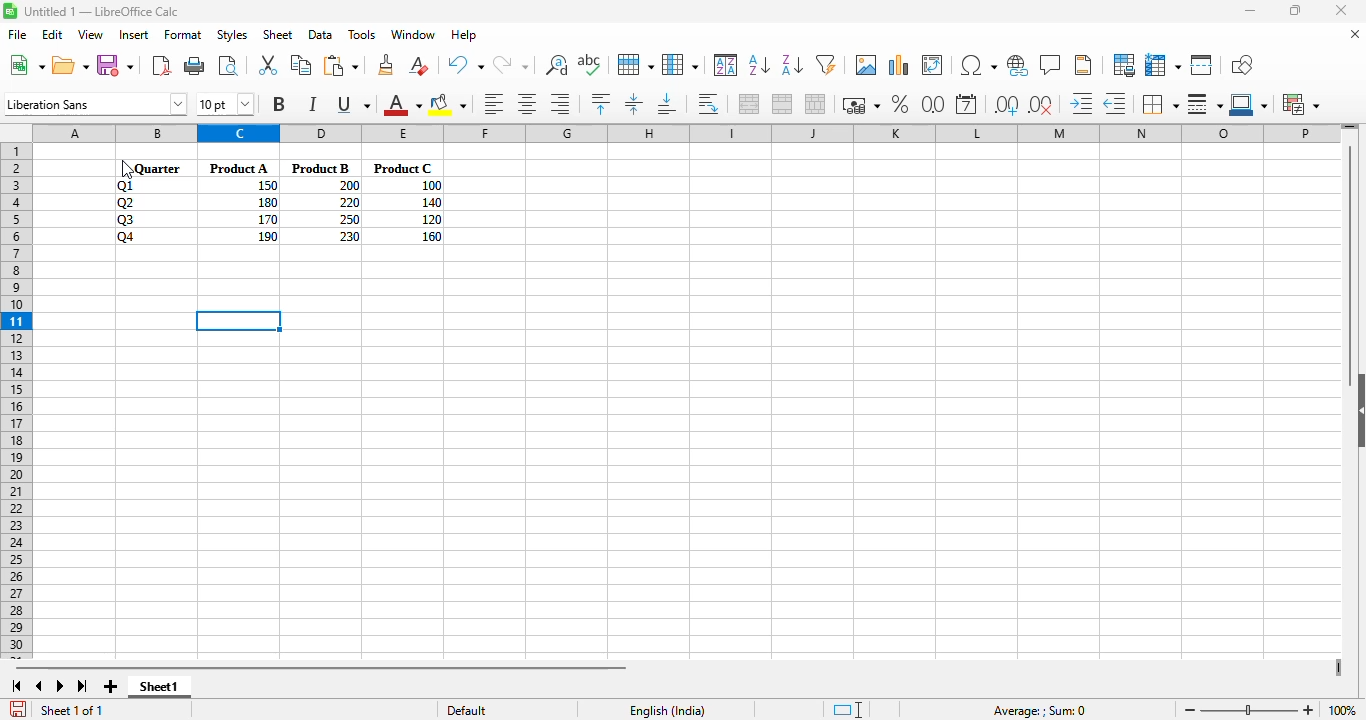 Image resolution: width=1366 pixels, height=720 pixels. I want to click on Zoom slider, so click(1249, 710).